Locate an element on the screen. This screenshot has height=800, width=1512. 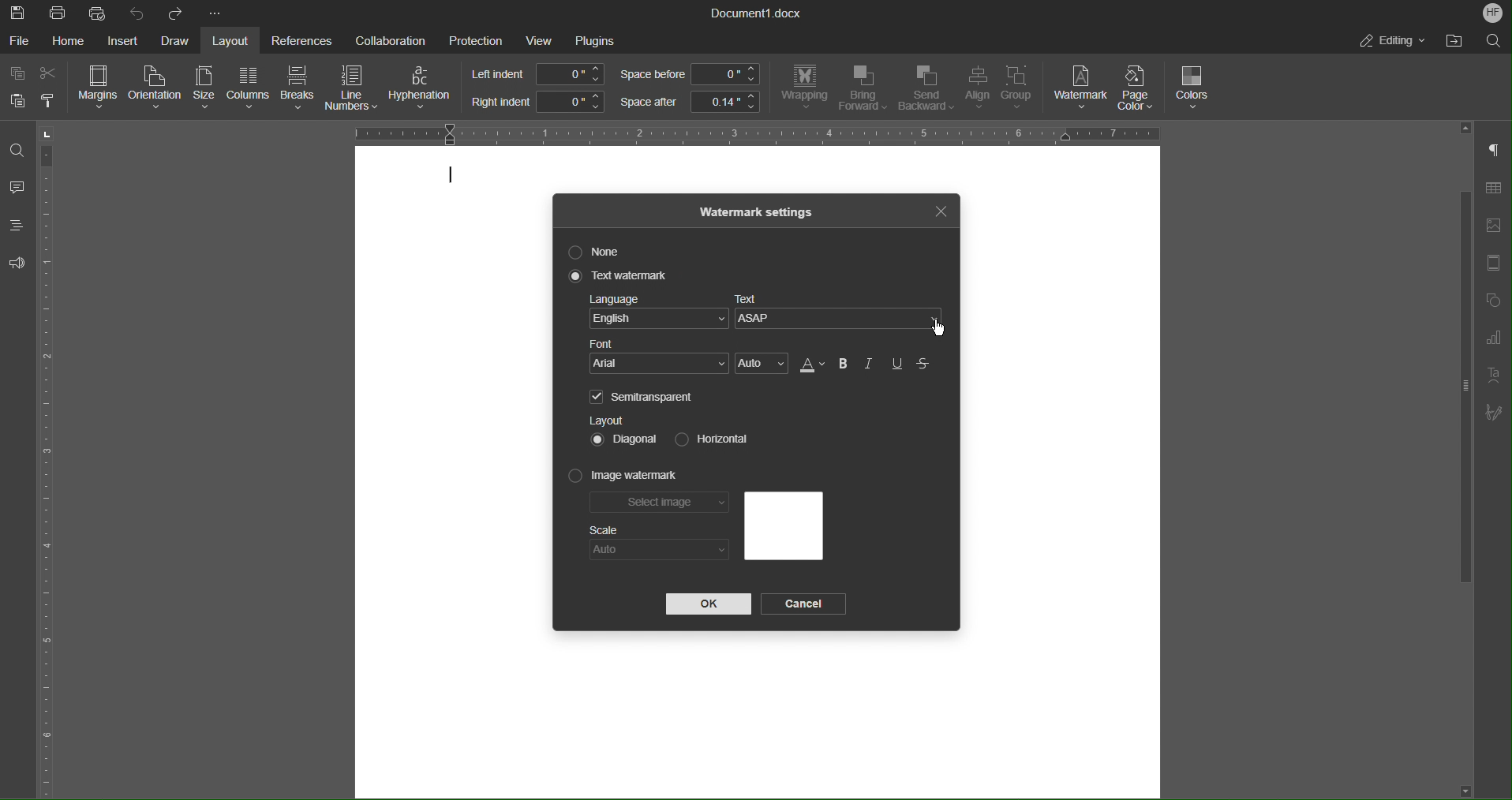
Account is located at coordinates (1493, 13).